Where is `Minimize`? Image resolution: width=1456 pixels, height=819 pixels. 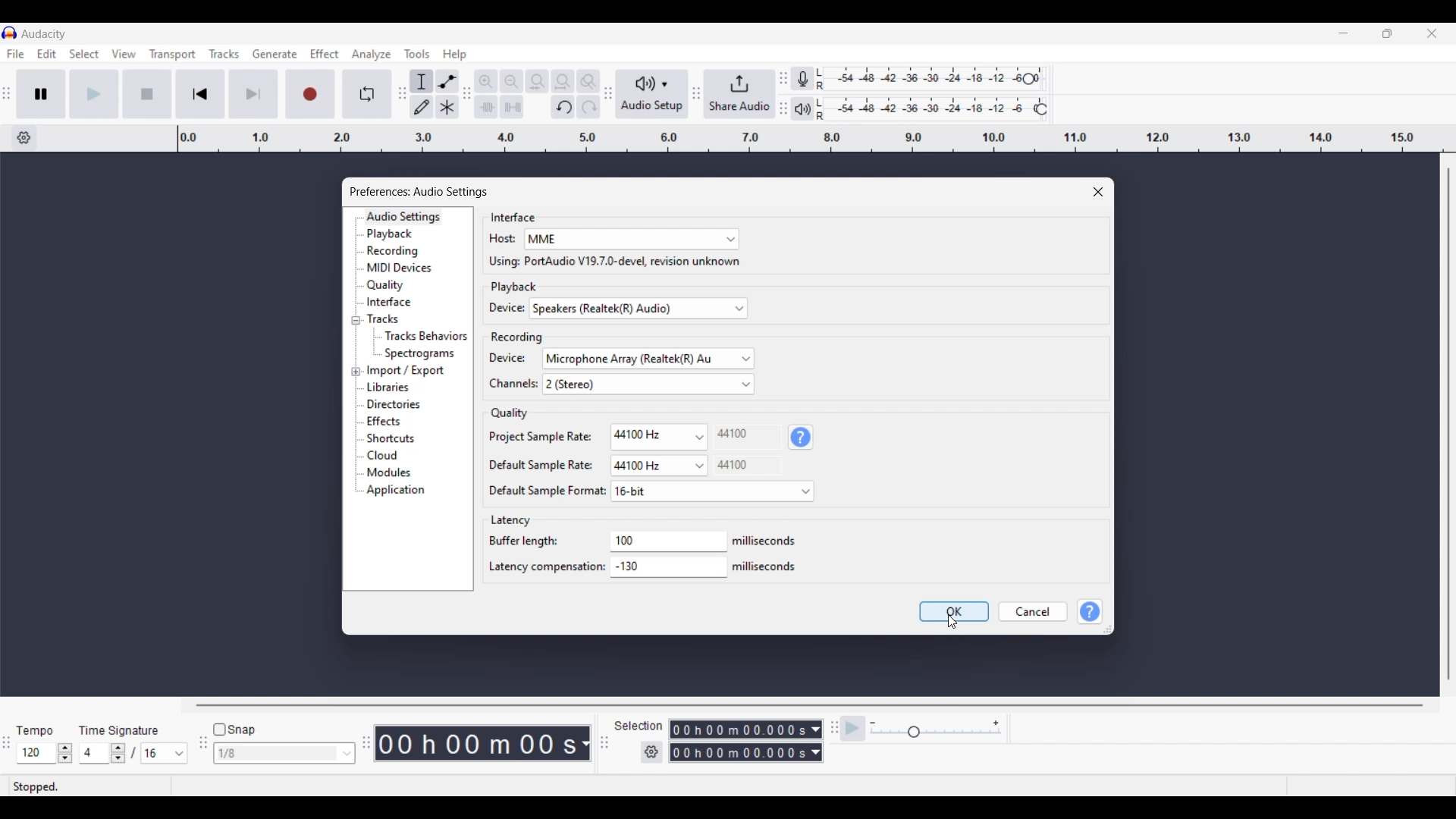 Minimize is located at coordinates (1343, 33).